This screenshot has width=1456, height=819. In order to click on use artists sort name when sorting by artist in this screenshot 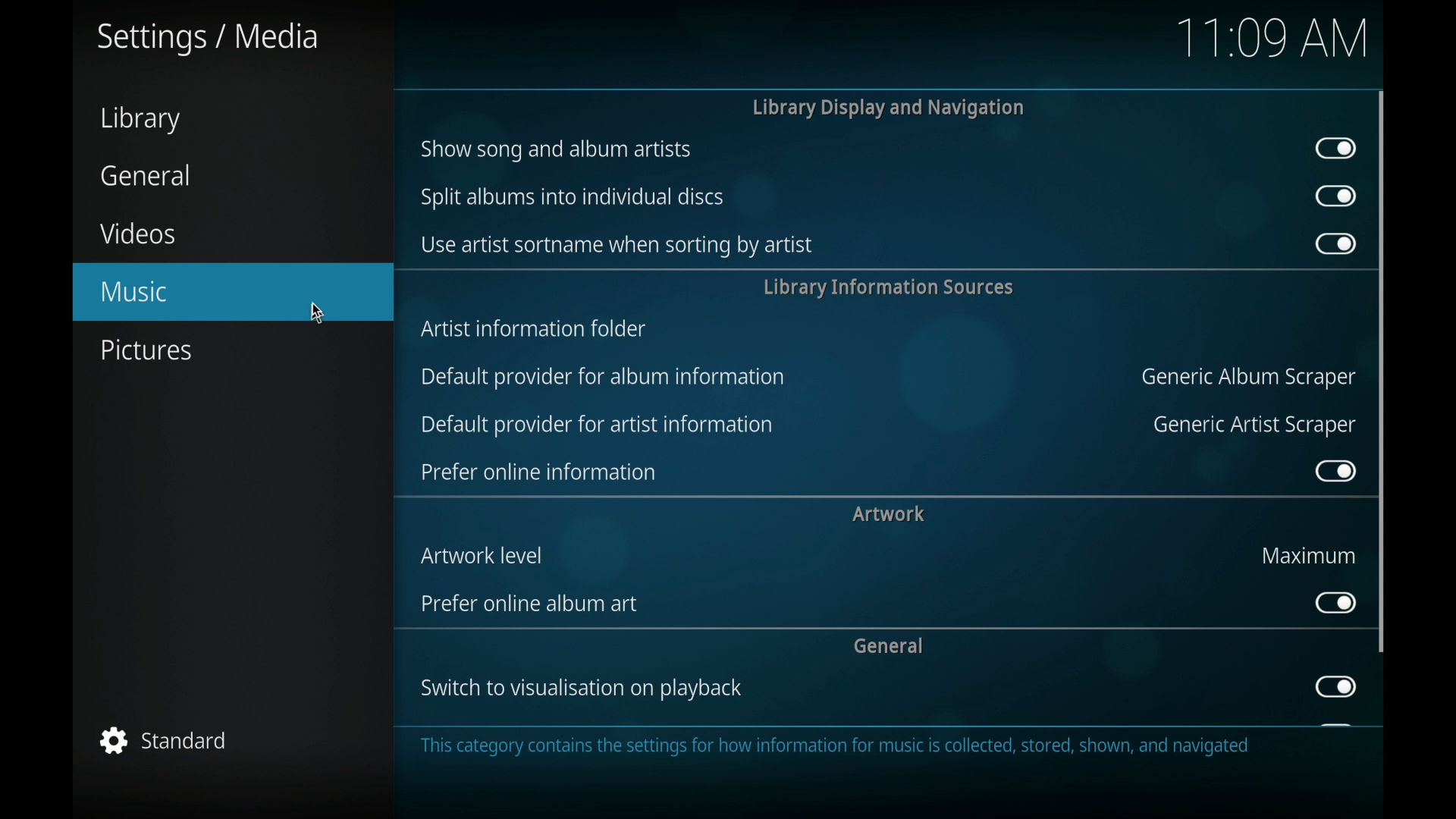, I will do `click(618, 245)`.